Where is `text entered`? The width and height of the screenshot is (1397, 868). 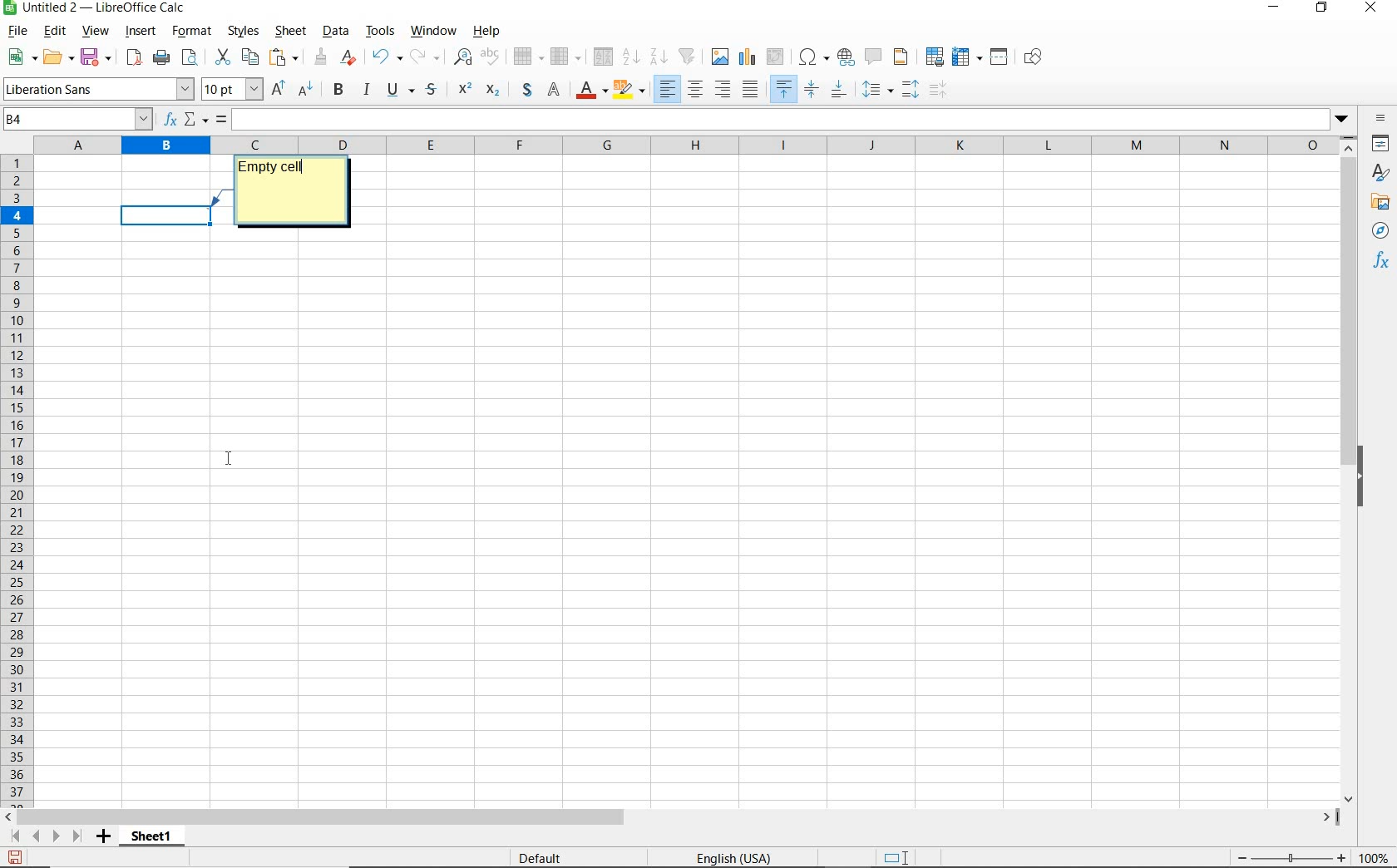
text entered is located at coordinates (291, 174).